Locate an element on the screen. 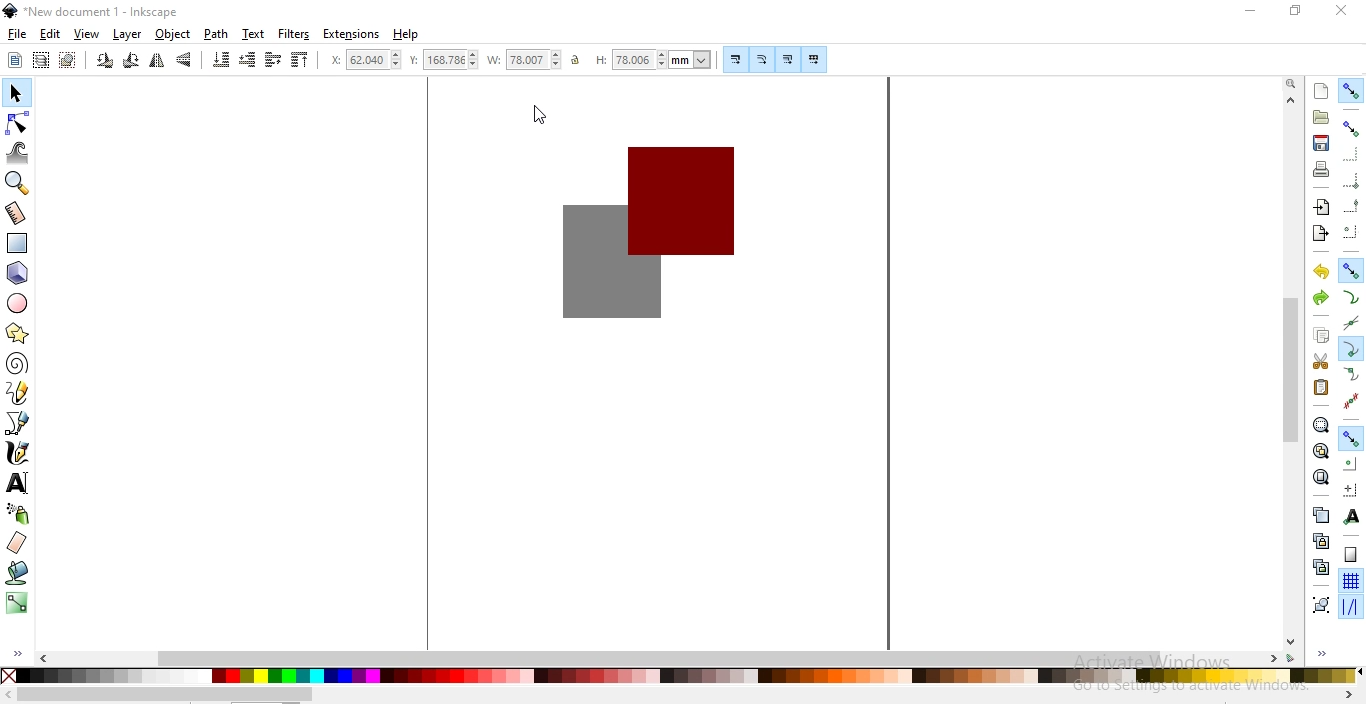  snap nodes, paths and headlines is located at coordinates (1351, 270).